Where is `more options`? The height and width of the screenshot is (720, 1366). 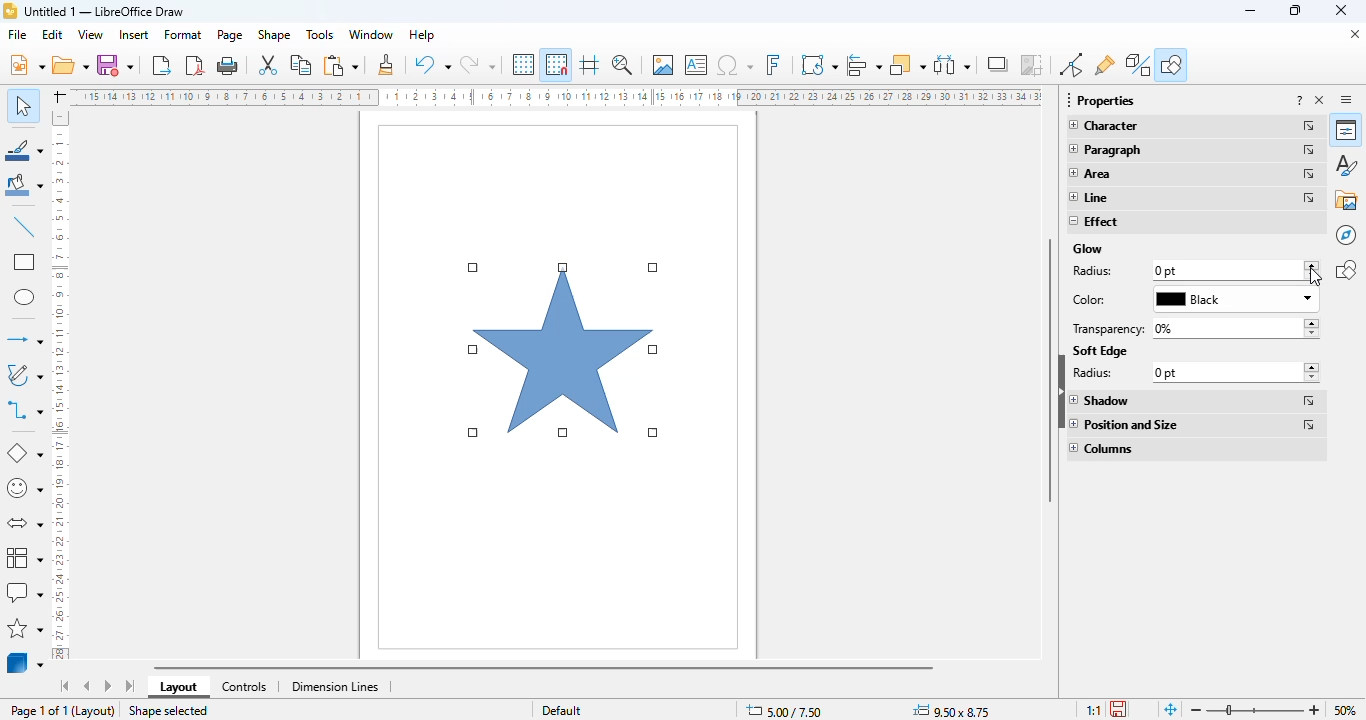
more options is located at coordinates (1311, 400).